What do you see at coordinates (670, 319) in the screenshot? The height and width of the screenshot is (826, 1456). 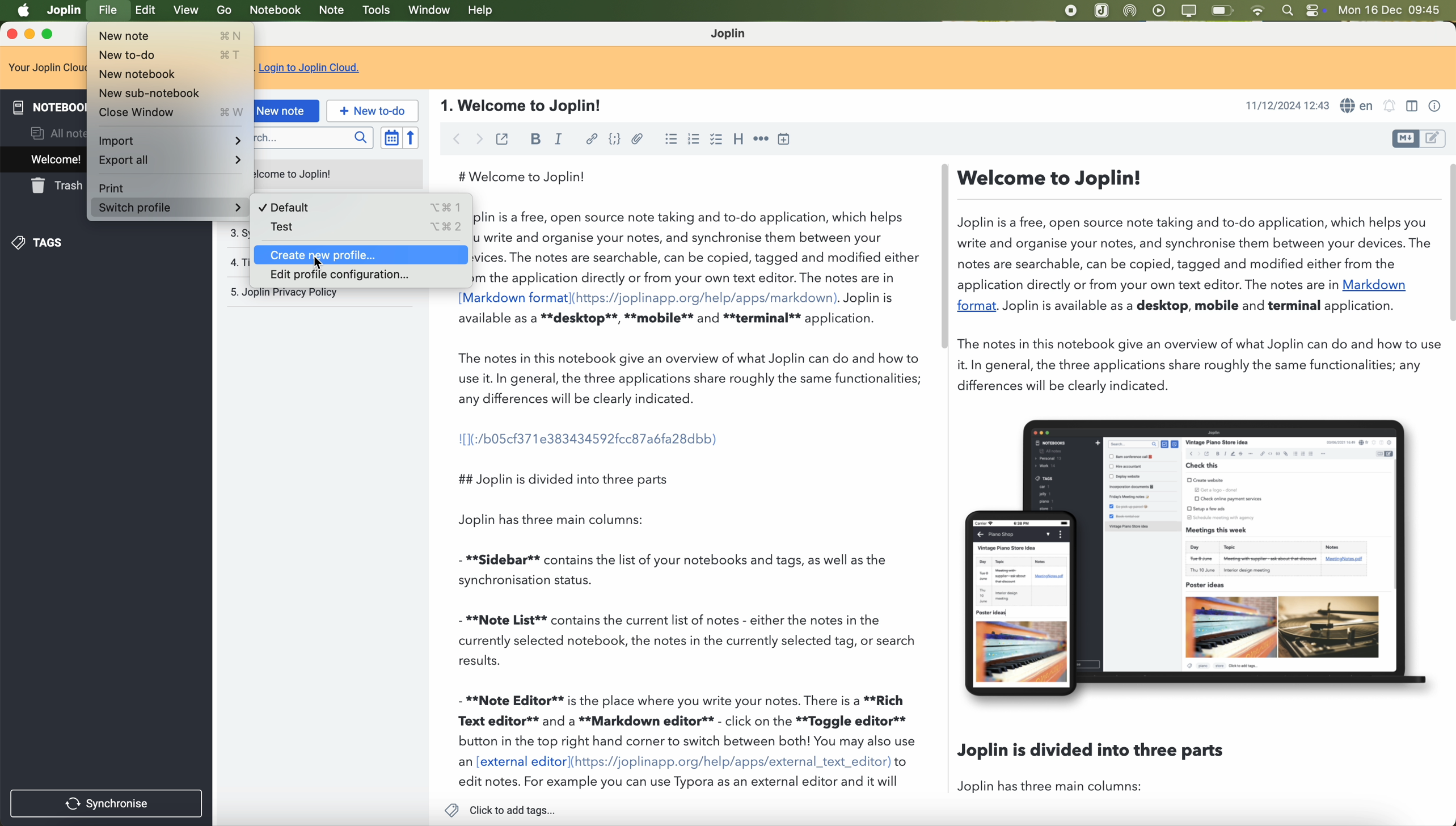 I see `available as a **desktop**, **mobile** and **terminal** application.` at bounding box center [670, 319].